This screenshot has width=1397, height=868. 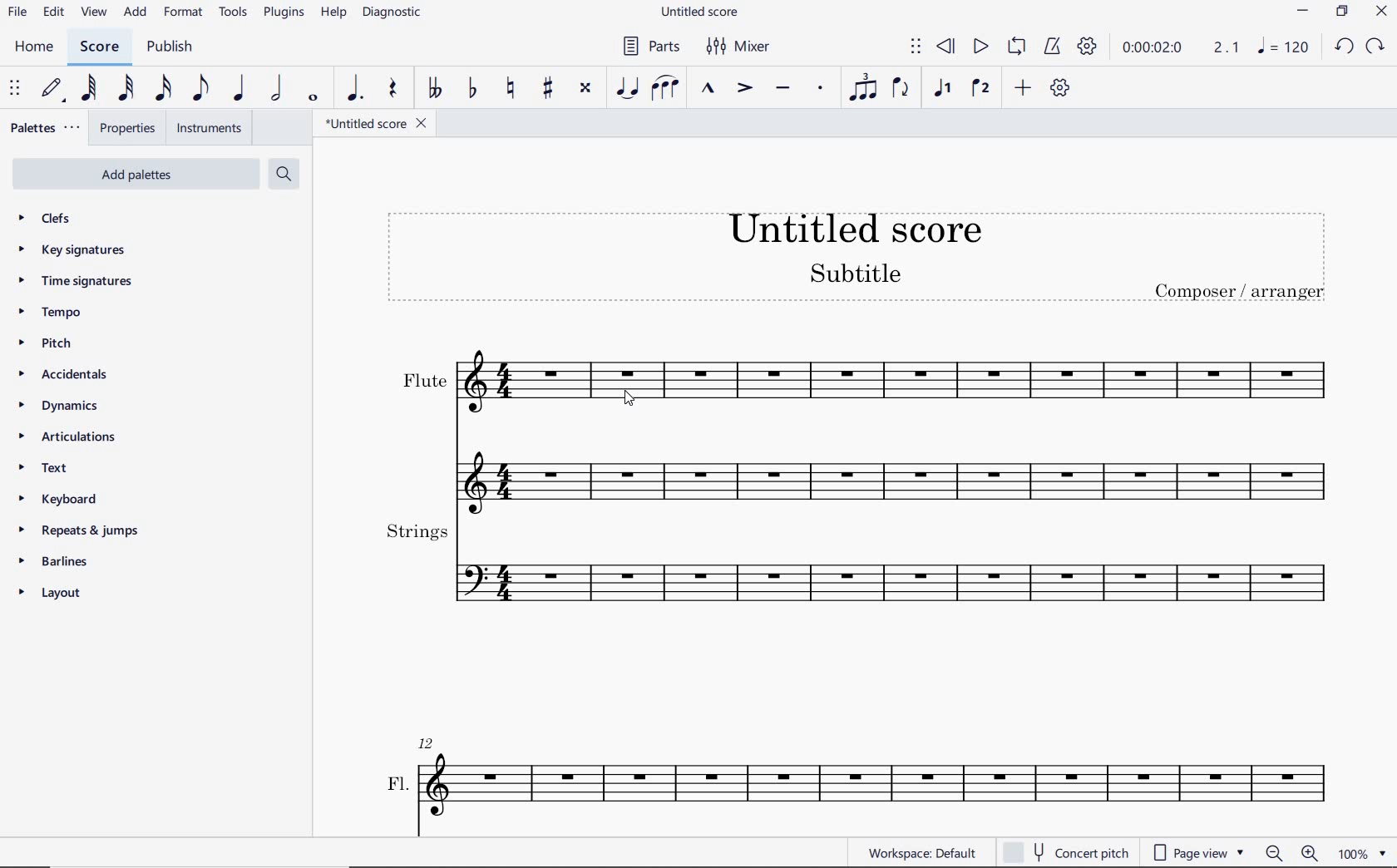 What do you see at coordinates (548, 86) in the screenshot?
I see `TOGGLE SHARP` at bounding box center [548, 86].